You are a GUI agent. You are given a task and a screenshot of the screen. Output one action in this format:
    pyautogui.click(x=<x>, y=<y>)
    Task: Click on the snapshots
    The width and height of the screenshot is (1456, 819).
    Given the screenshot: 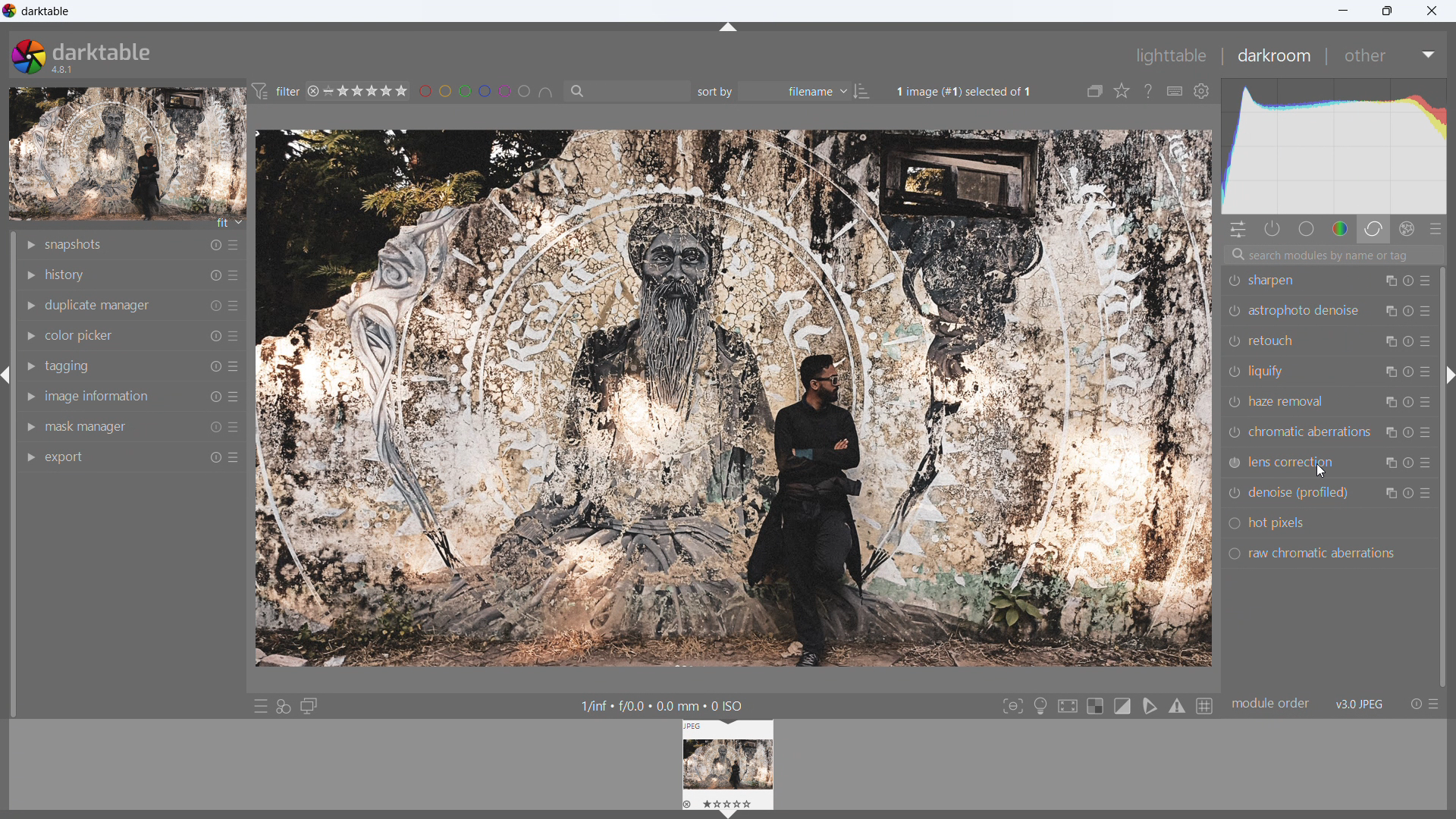 What is the action you would take?
    pyautogui.click(x=74, y=245)
    